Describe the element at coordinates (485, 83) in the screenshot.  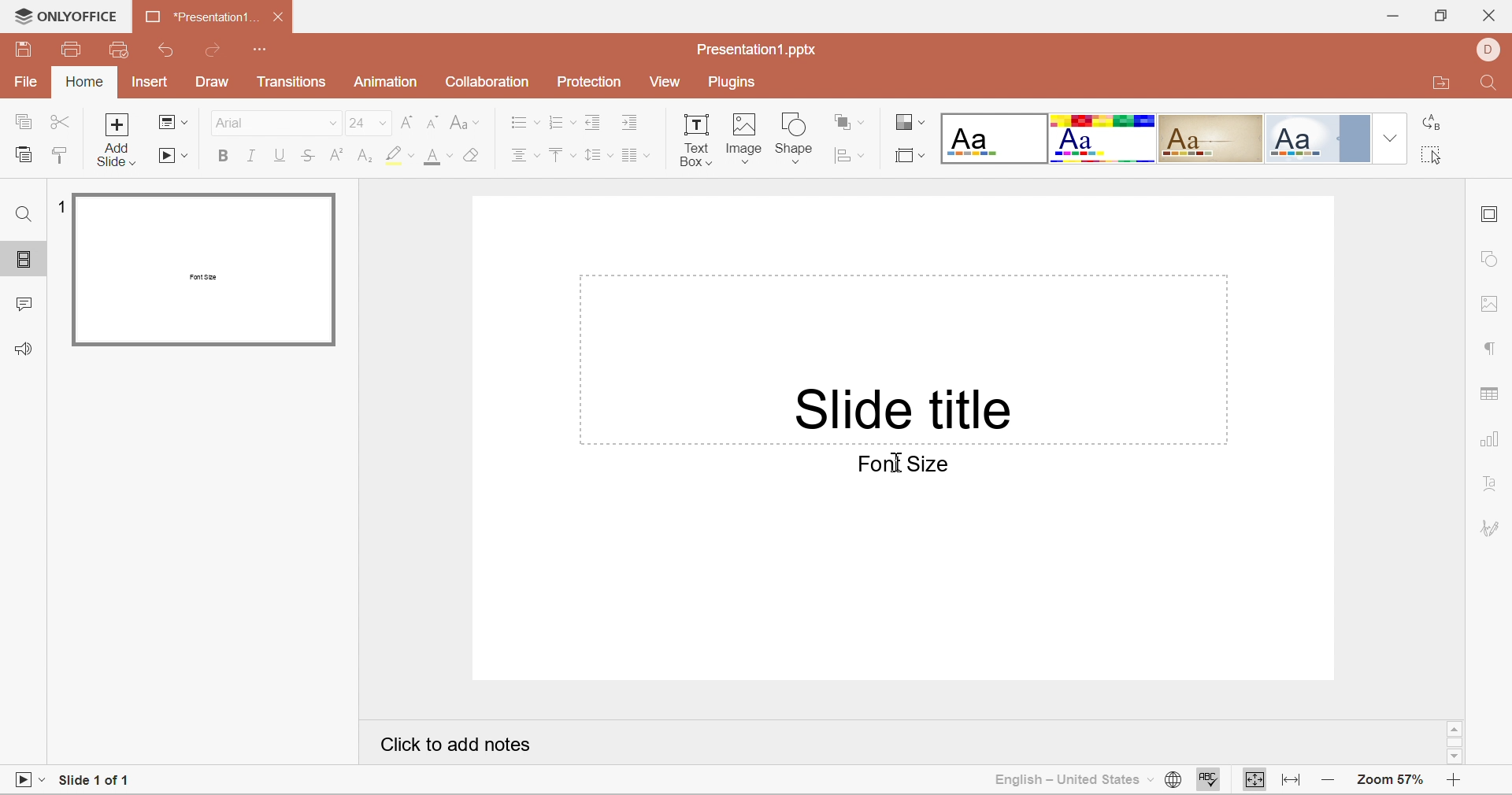
I see `Collaboration` at that location.